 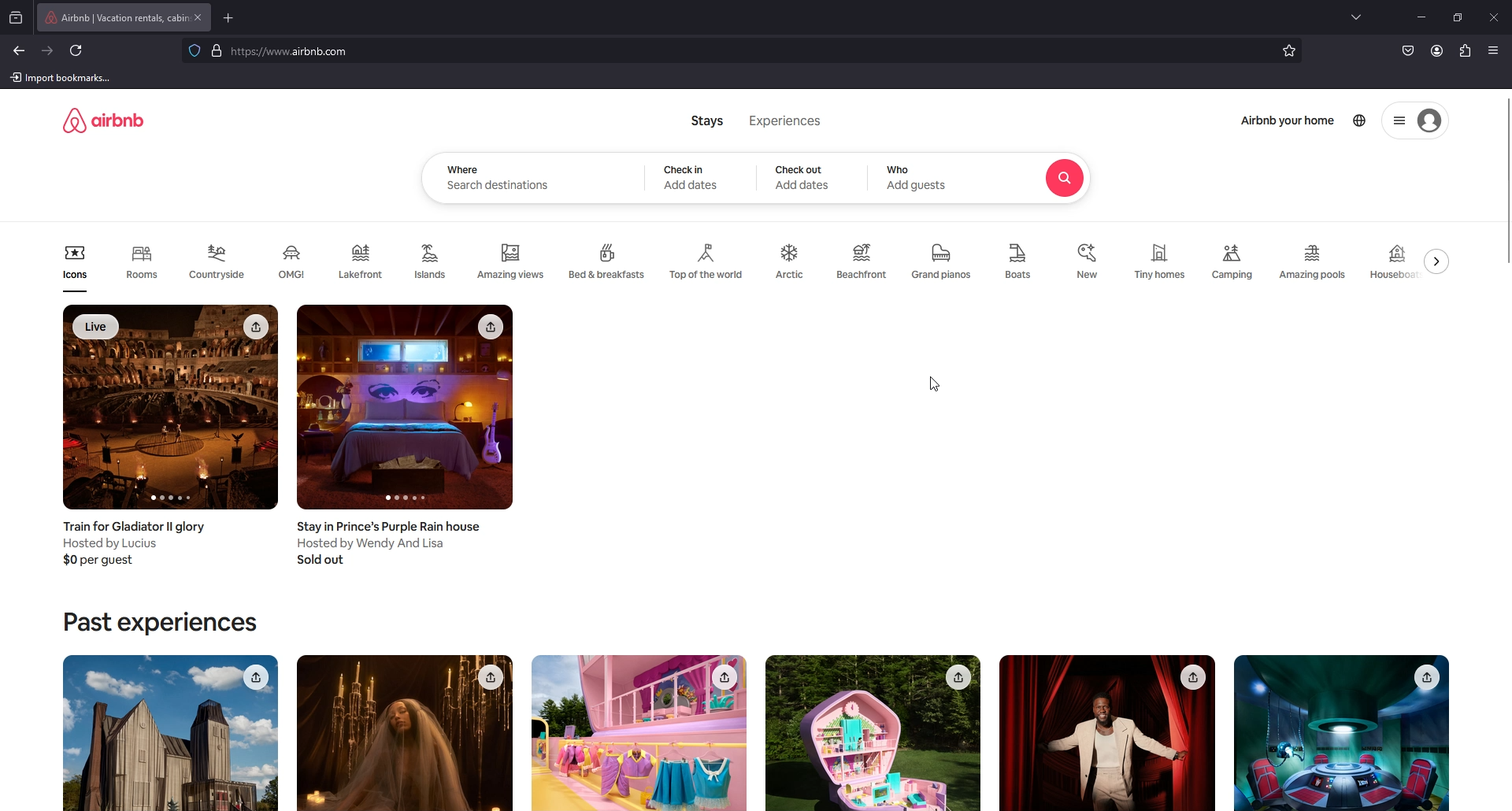 I want to click on back, so click(x=20, y=51).